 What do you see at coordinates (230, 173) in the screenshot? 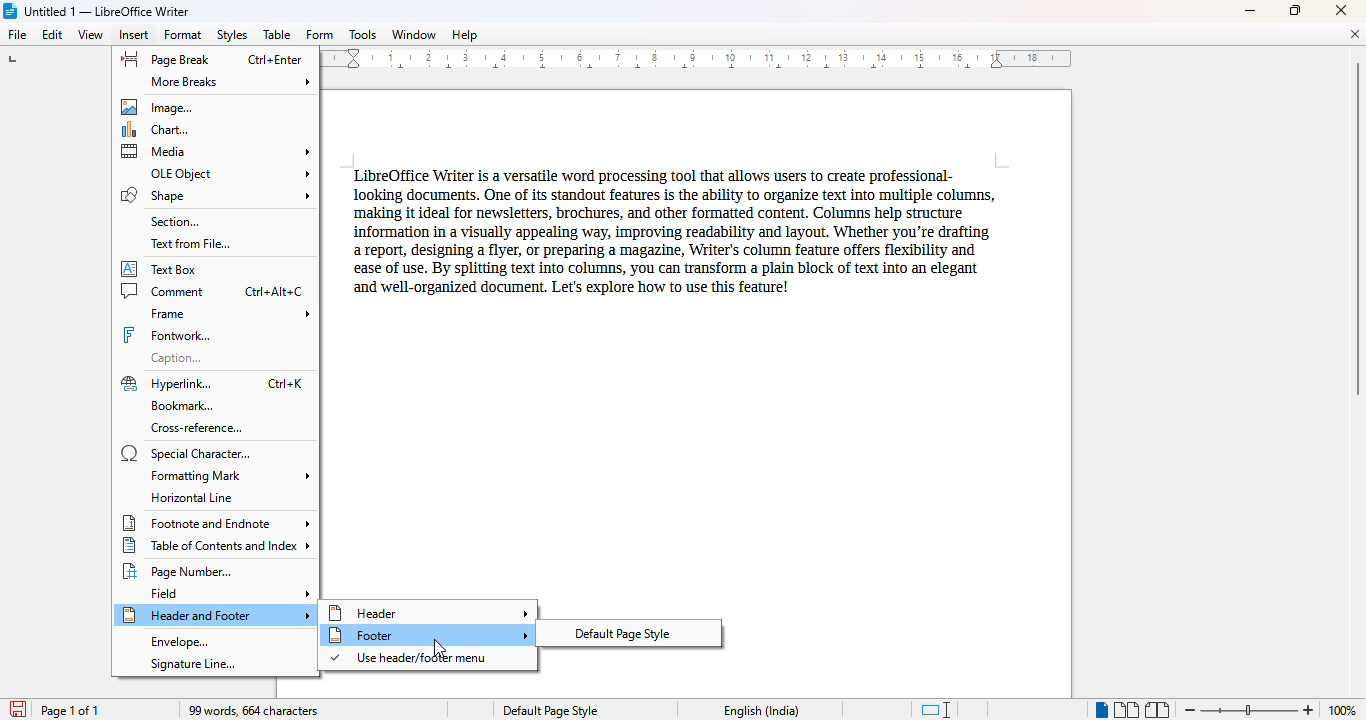
I see `OLE object` at bounding box center [230, 173].